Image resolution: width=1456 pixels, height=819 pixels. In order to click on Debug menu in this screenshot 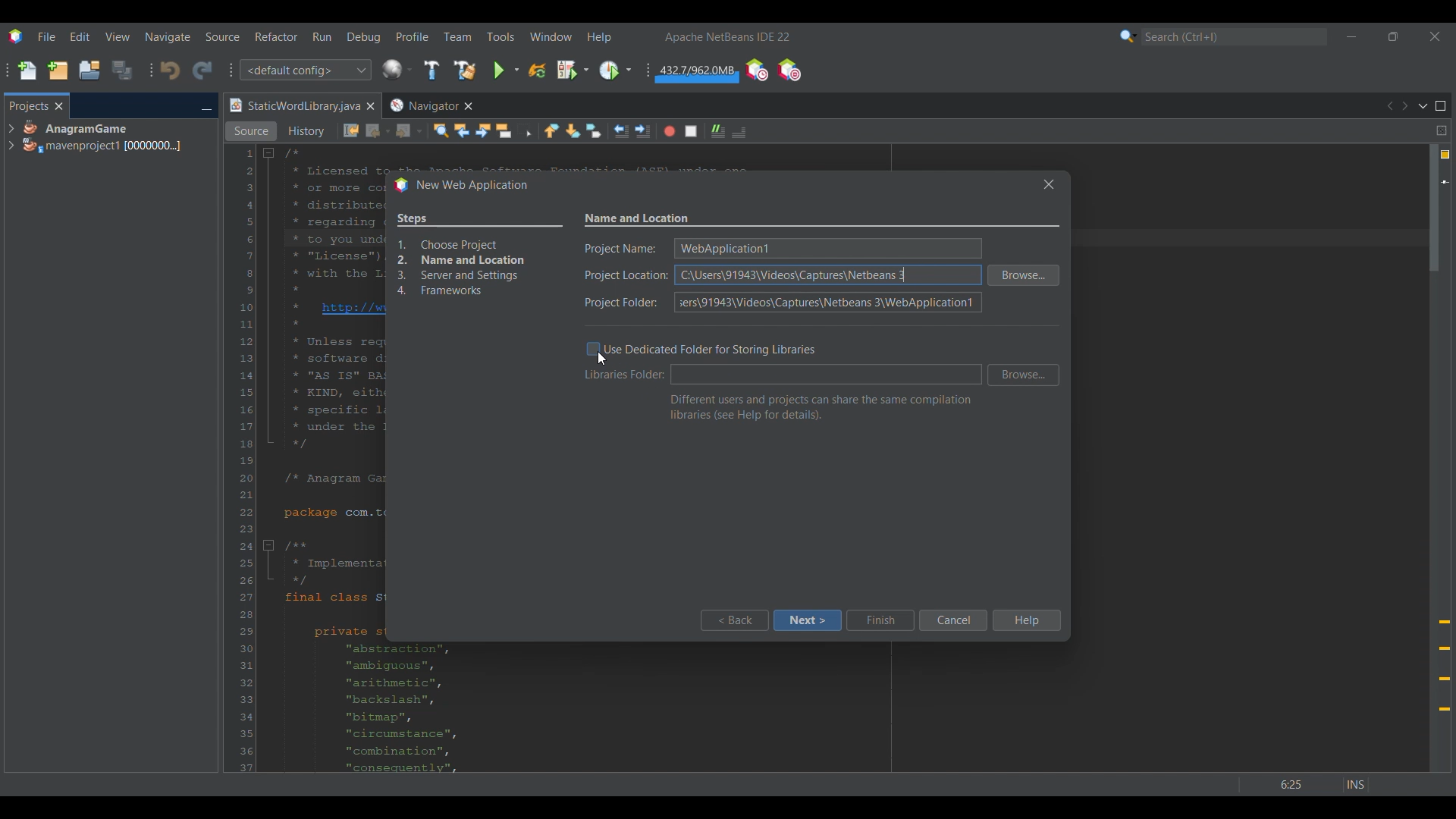, I will do `click(364, 37)`.